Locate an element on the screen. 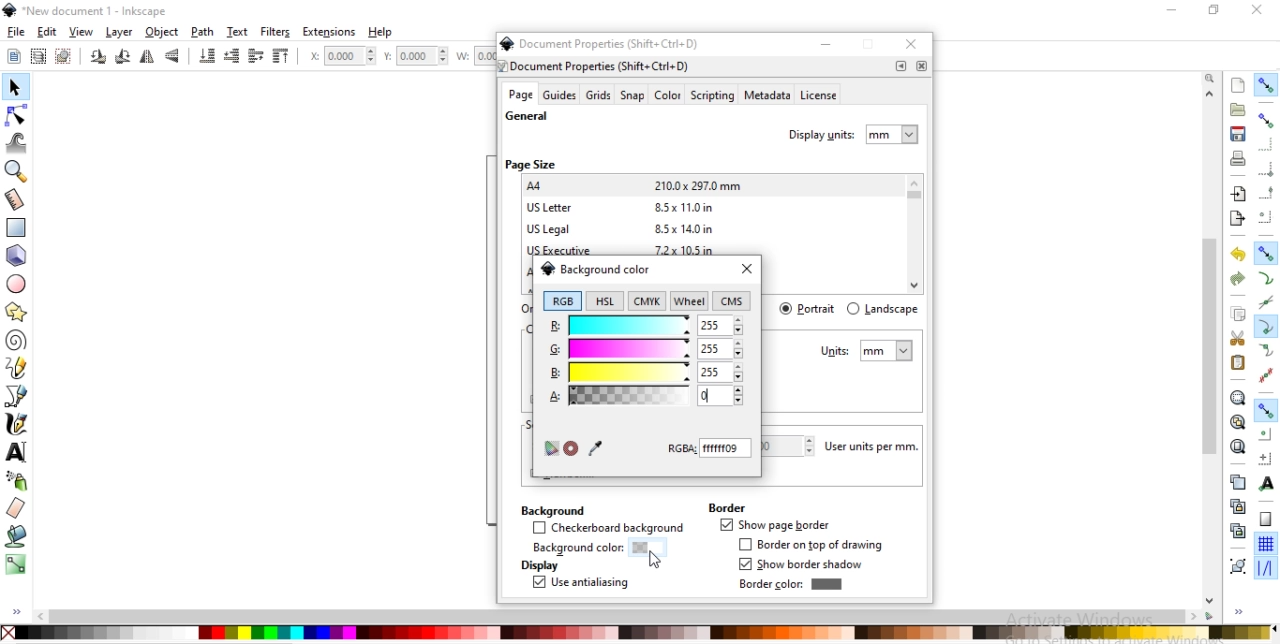  help is located at coordinates (382, 32).